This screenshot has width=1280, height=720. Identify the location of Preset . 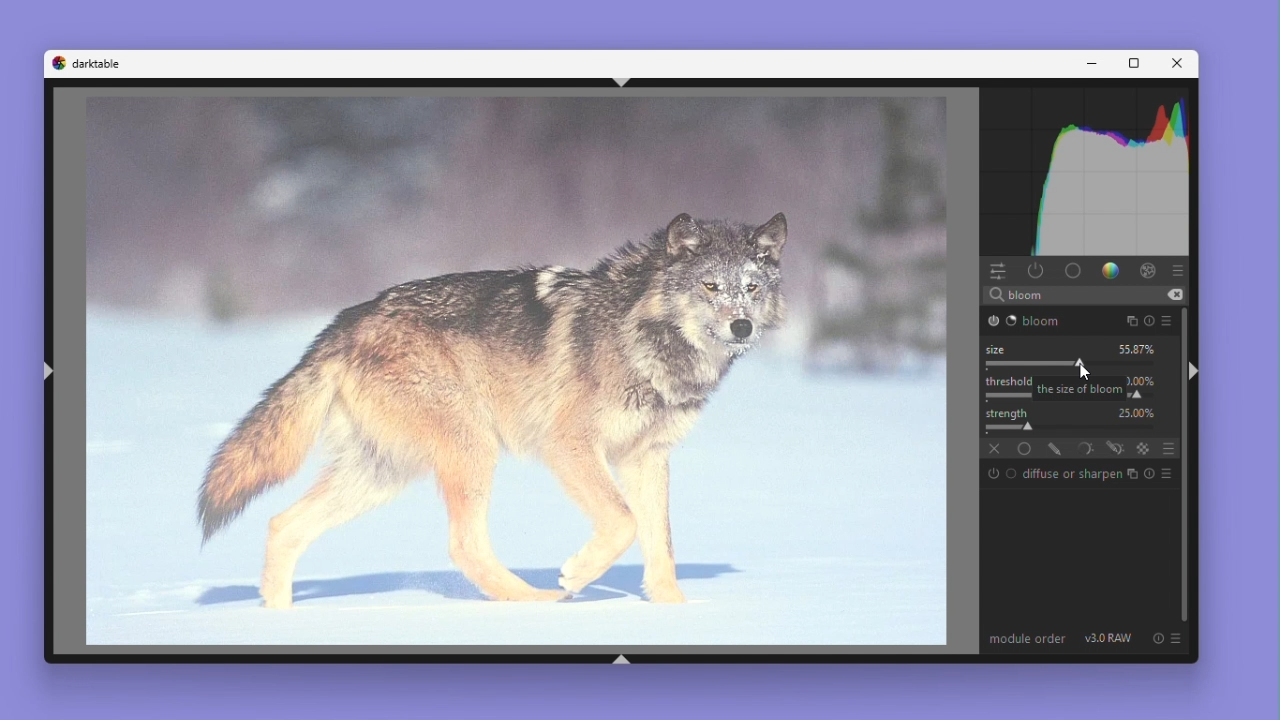
(1165, 475).